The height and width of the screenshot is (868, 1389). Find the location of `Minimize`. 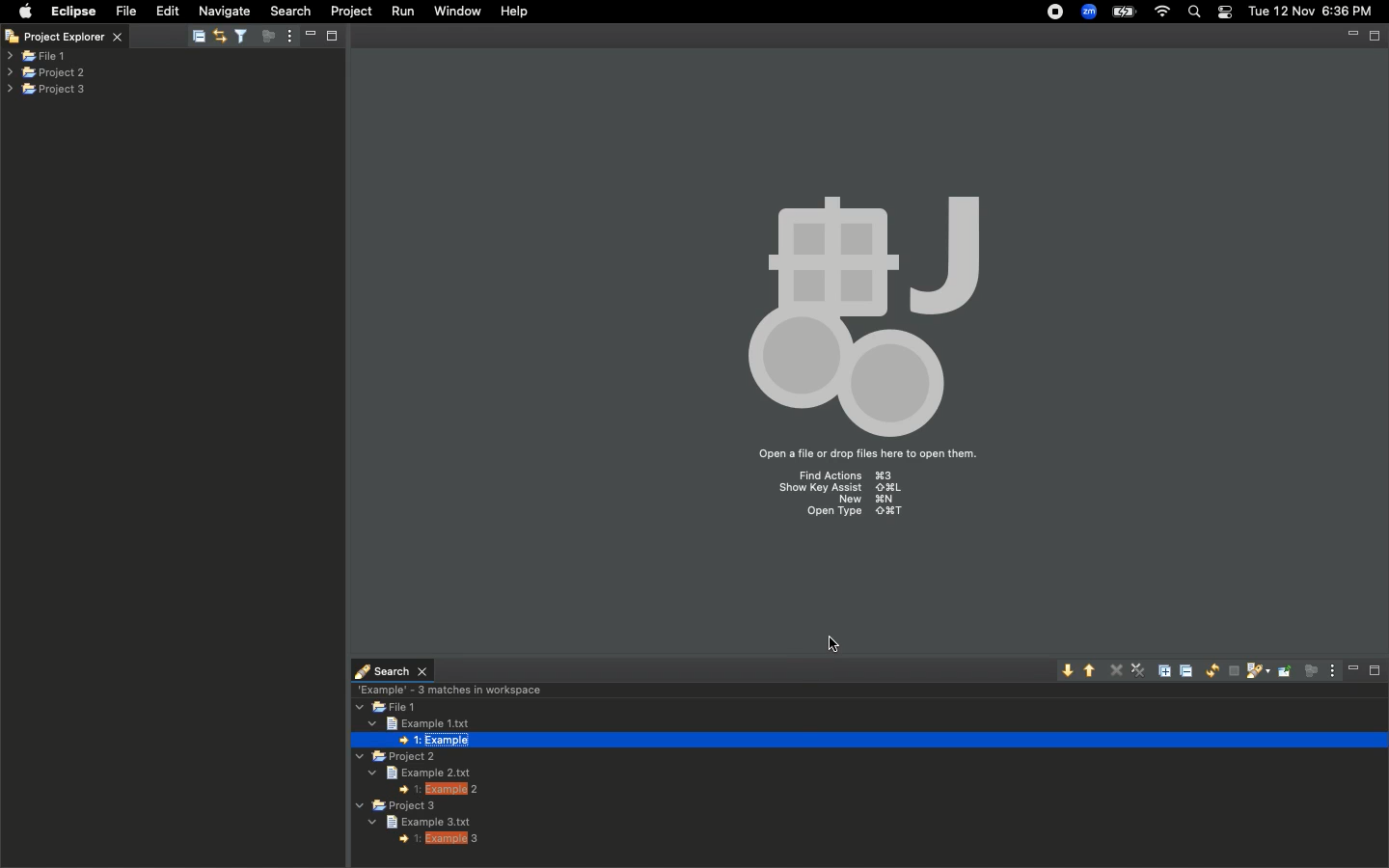

Minimize is located at coordinates (1353, 669).